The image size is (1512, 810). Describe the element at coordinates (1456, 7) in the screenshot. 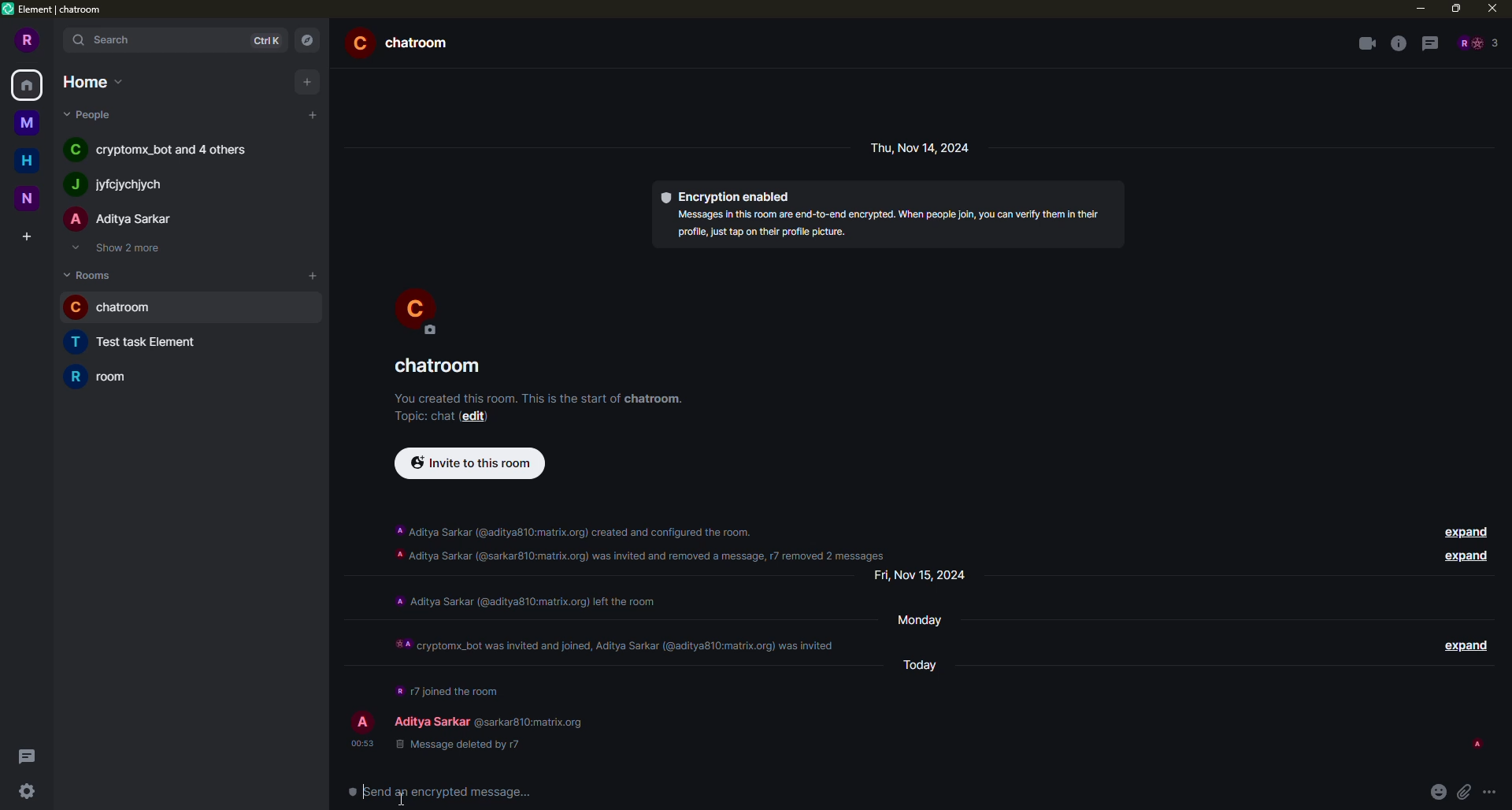

I see `maximize` at that location.